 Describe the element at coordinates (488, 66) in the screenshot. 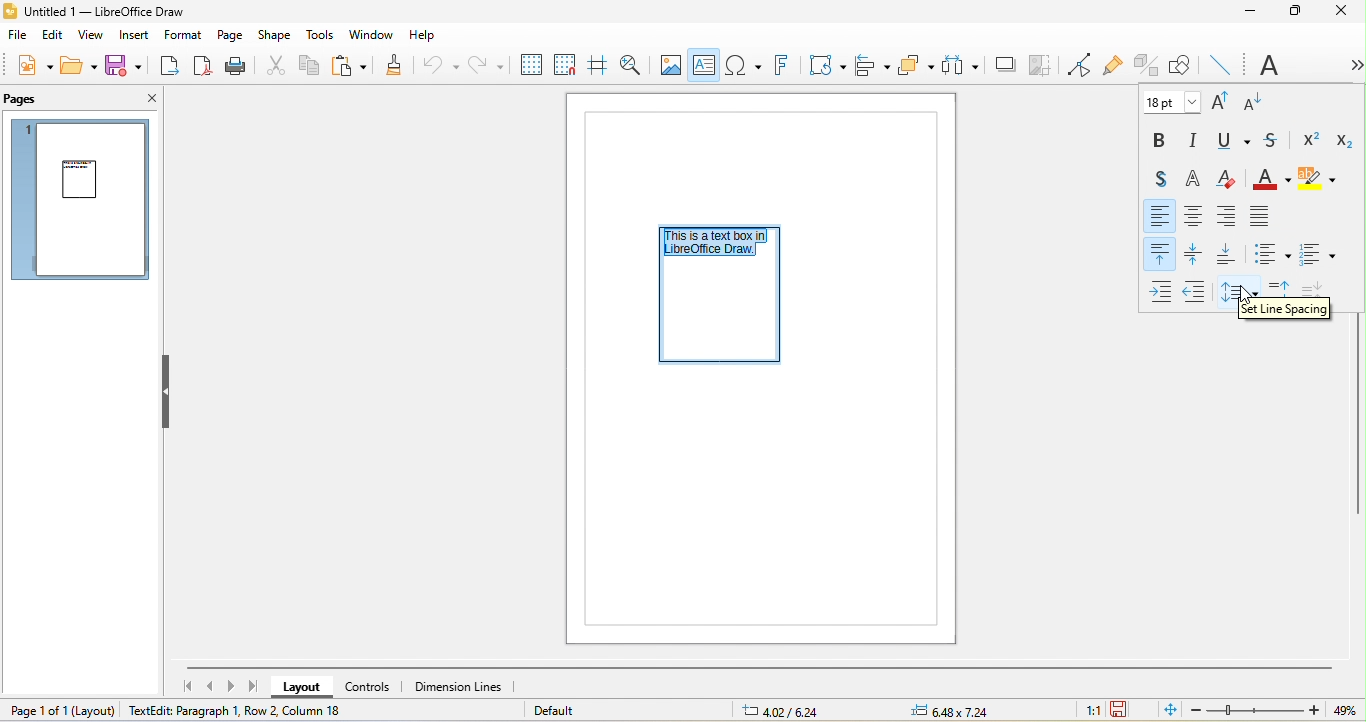

I see `redo` at that location.